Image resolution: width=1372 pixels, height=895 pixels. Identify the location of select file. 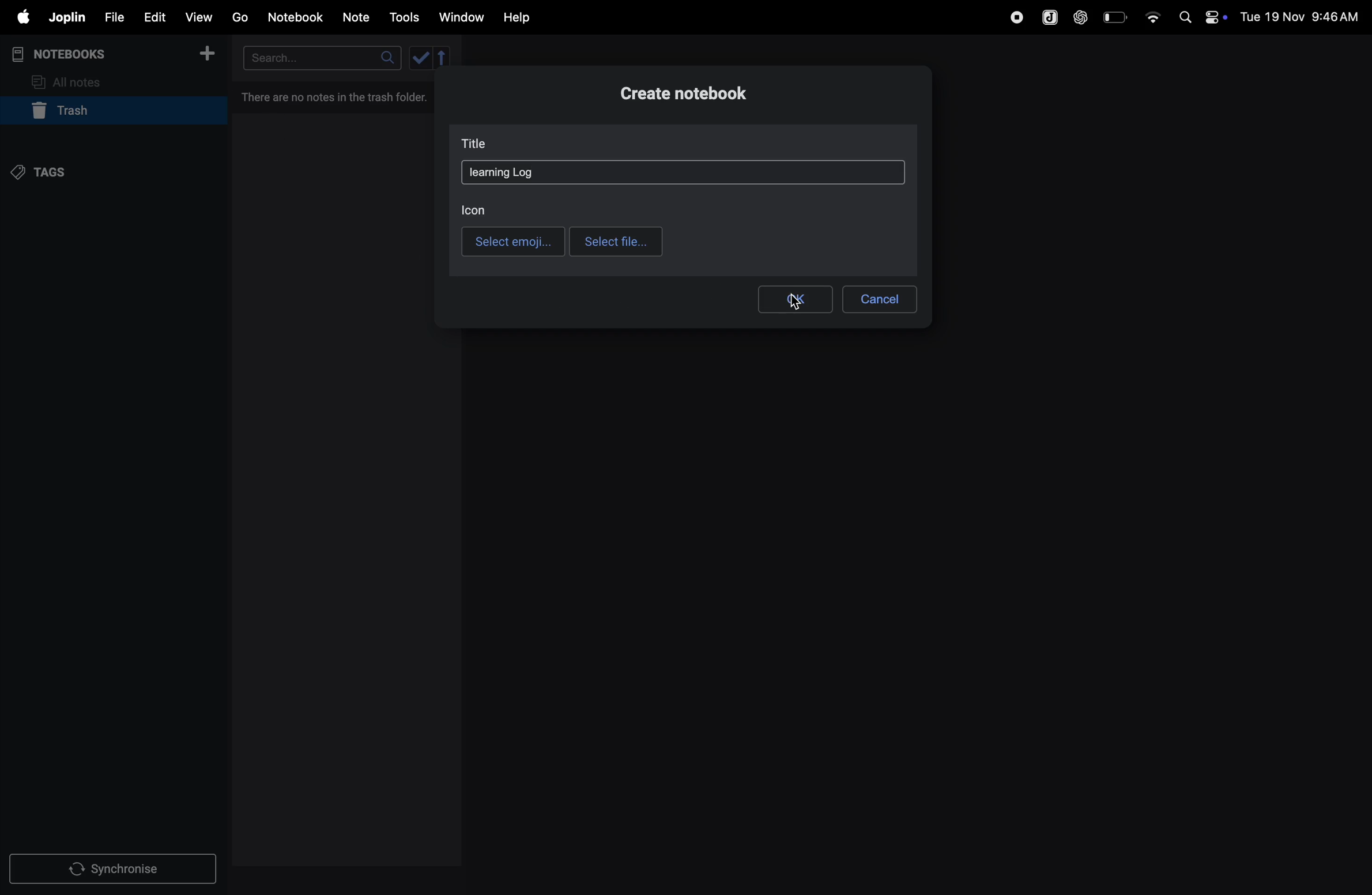
(617, 241).